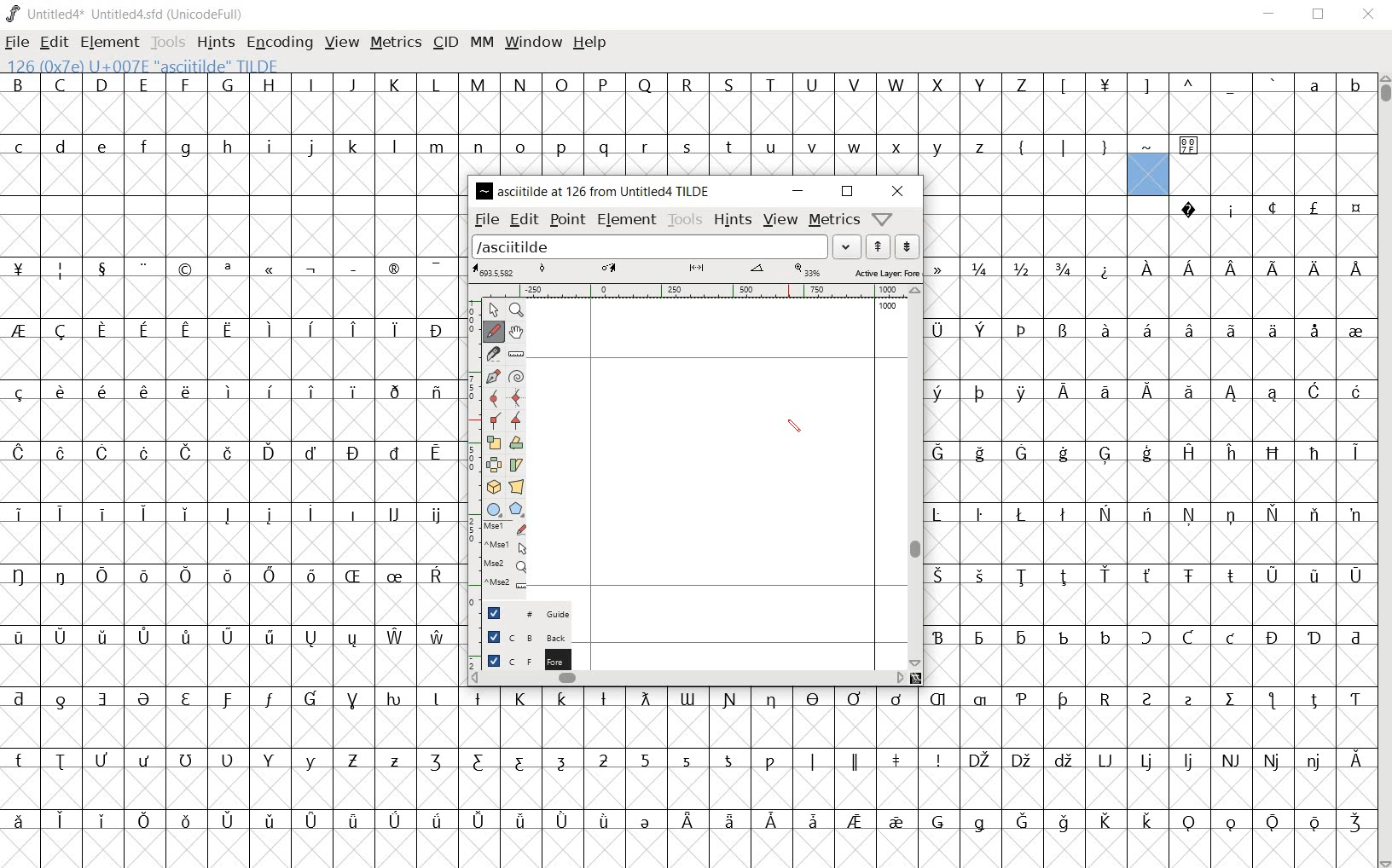  Describe the element at coordinates (494, 443) in the screenshot. I see `scale the selection` at that location.